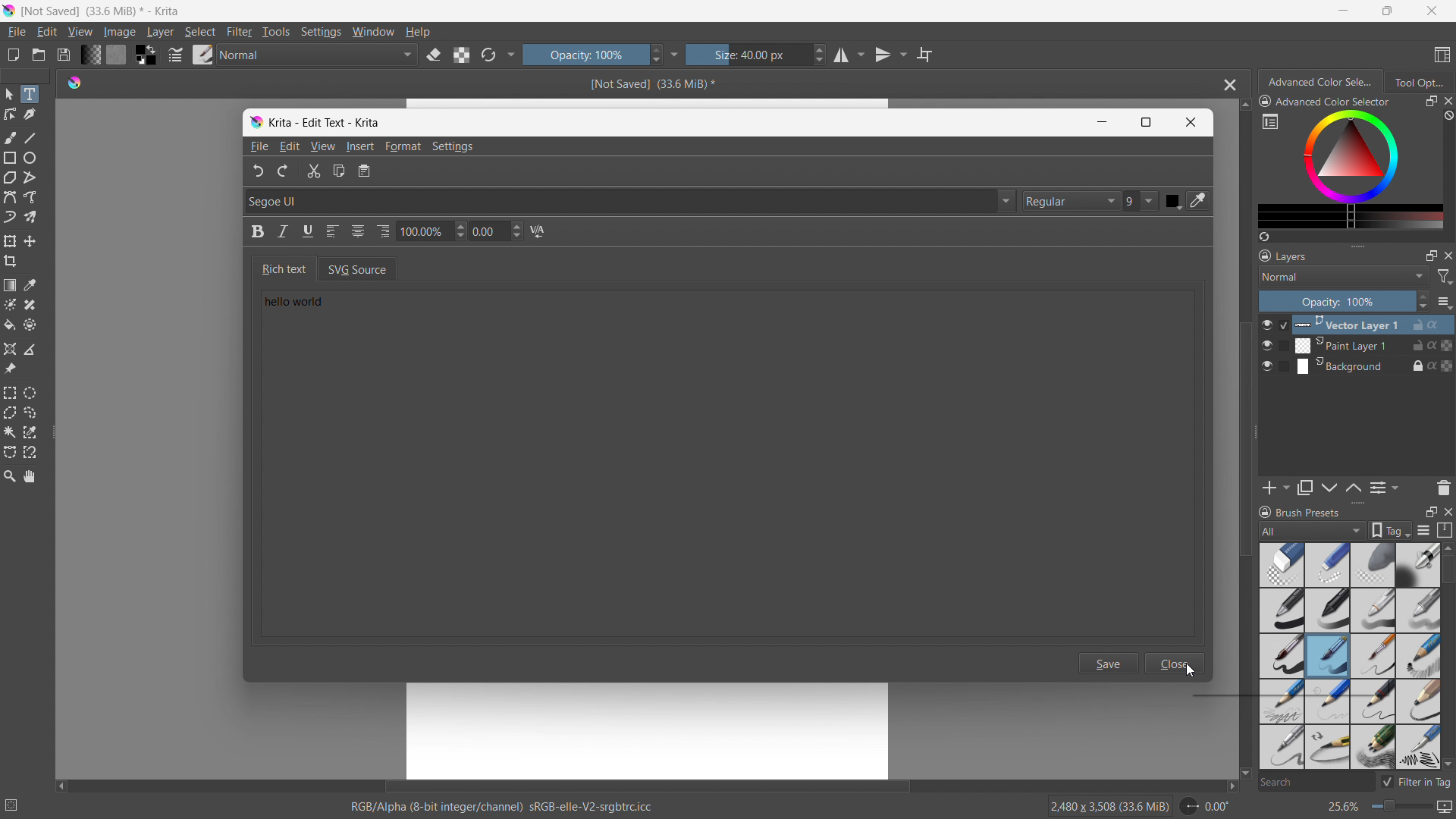 The width and height of the screenshot is (1456, 819). I want to click on opacity control, so click(592, 54).